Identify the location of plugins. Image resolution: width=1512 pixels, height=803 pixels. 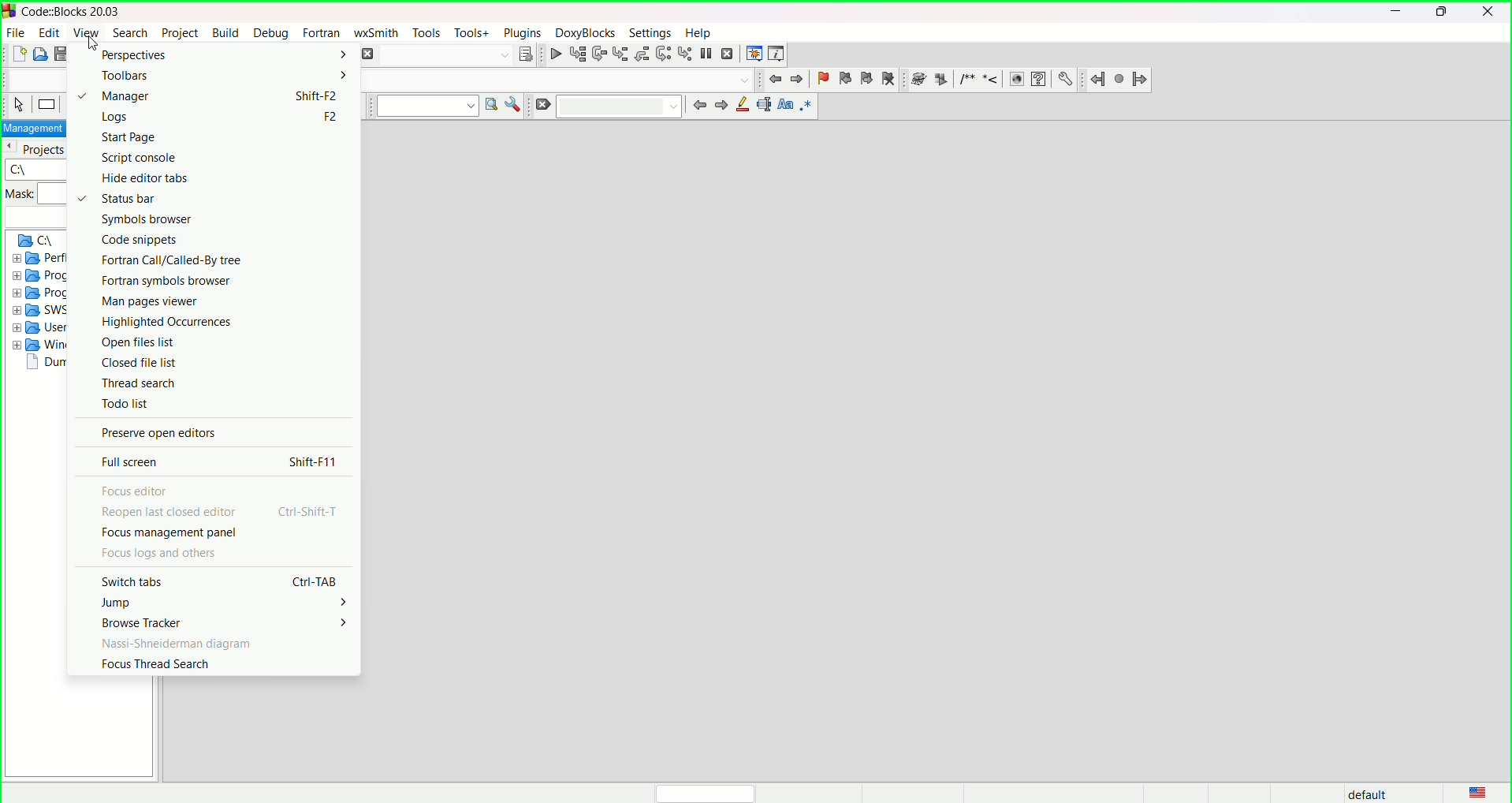
(520, 32).